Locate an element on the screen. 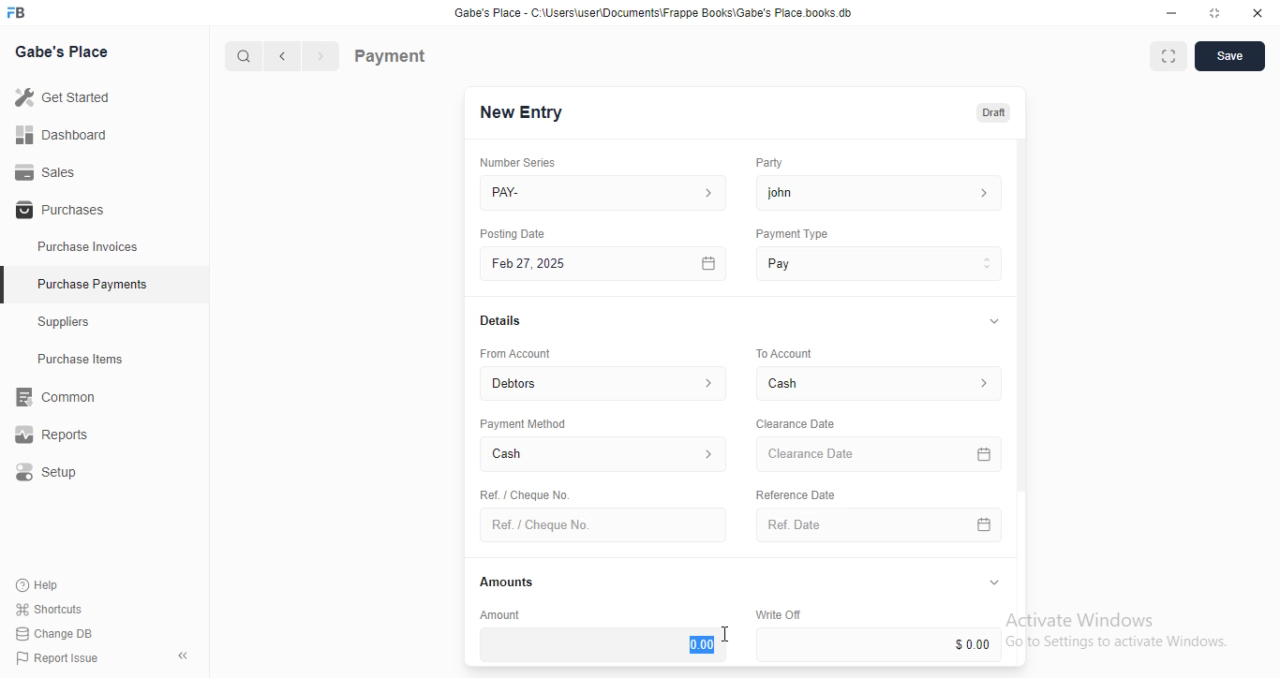 Image resolution: width=1280 pixels, height=678 pixels. selected is located at coordinates (8, 287).